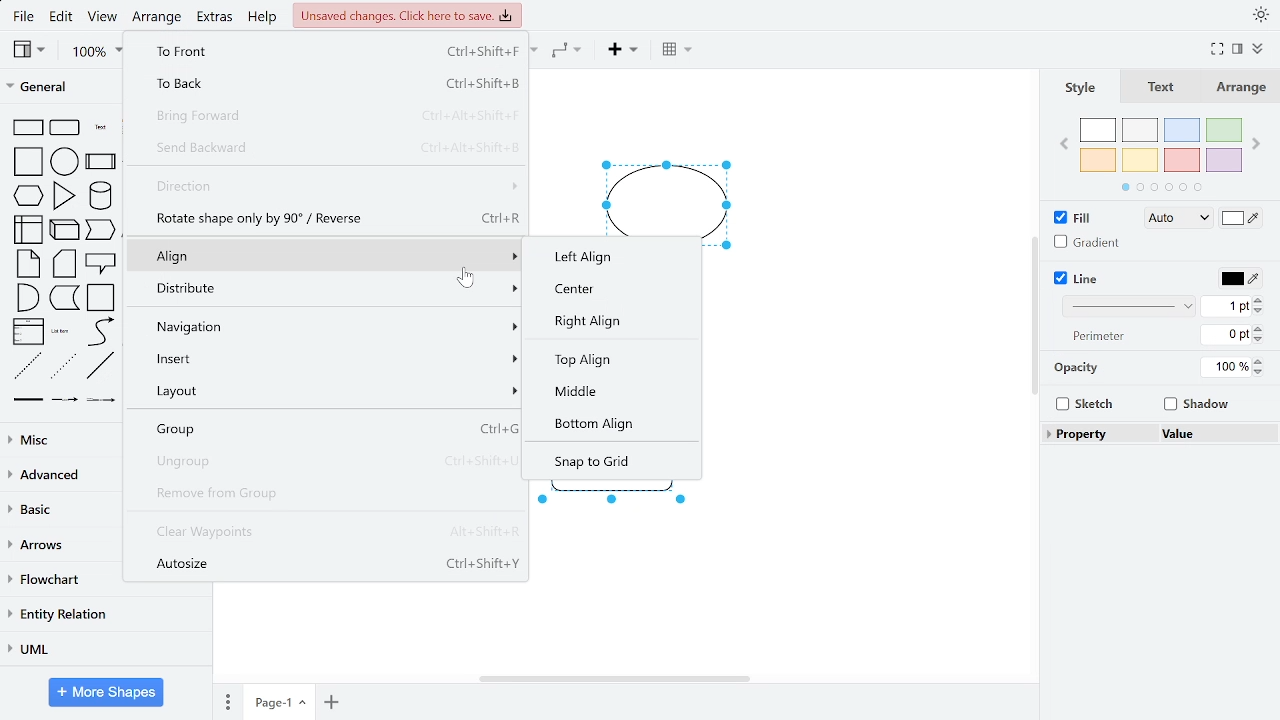 The width and height of the screenshot is (1280, 720). Describe the element at coordinates (101, 366) in the screenshot. I see `line` at that location.